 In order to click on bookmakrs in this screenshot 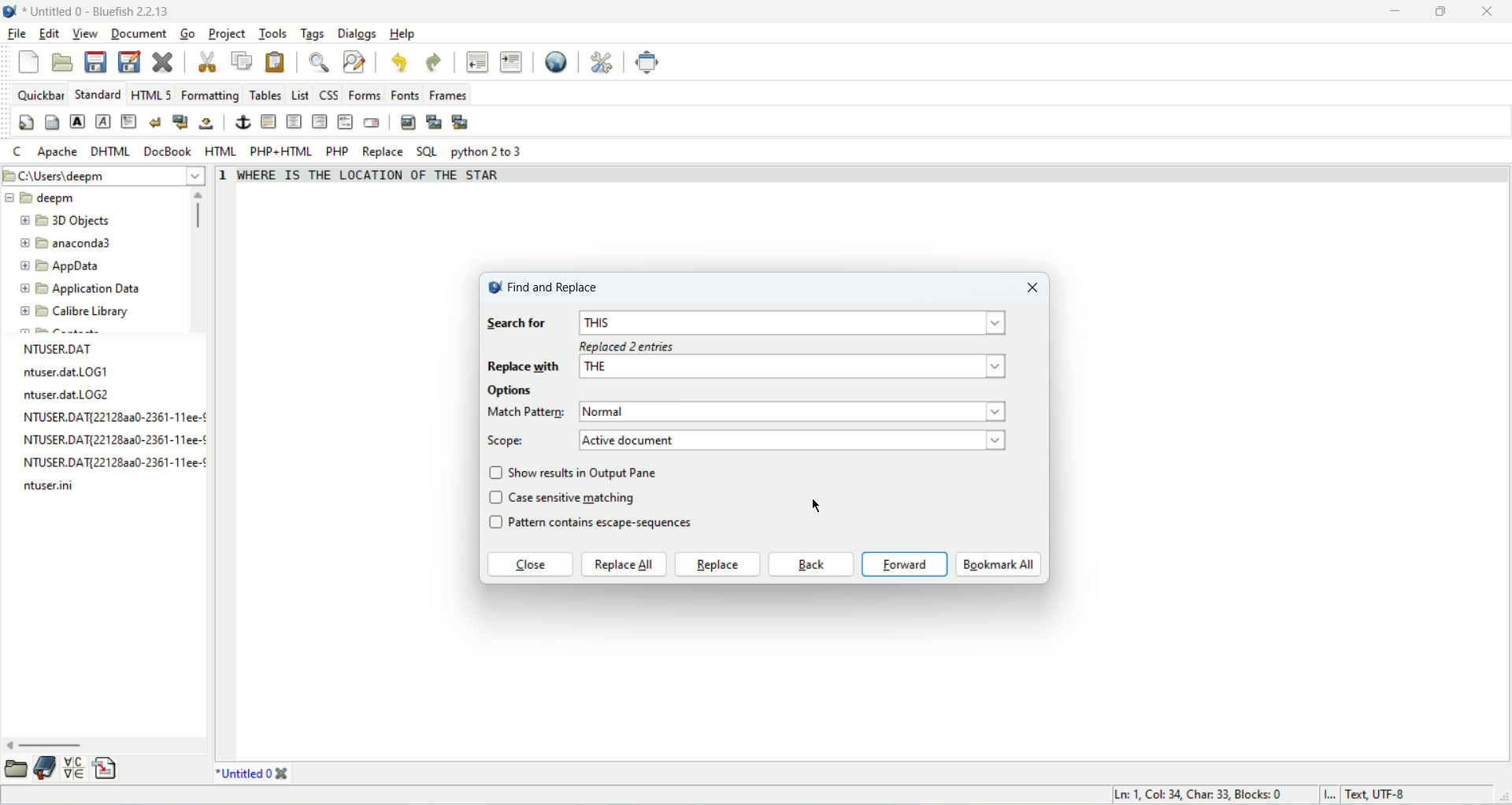, I will do `click(46, 768)`.